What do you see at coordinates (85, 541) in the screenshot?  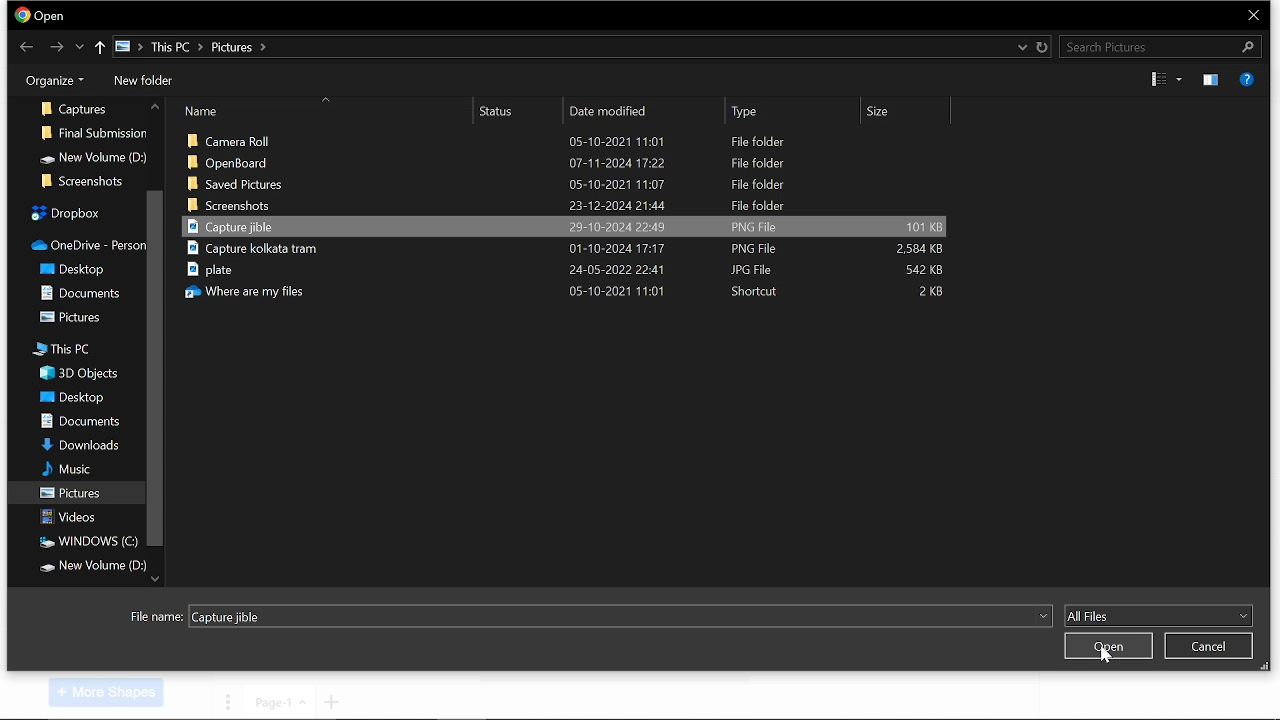 I see `folders` at bounding box center [85, 541].